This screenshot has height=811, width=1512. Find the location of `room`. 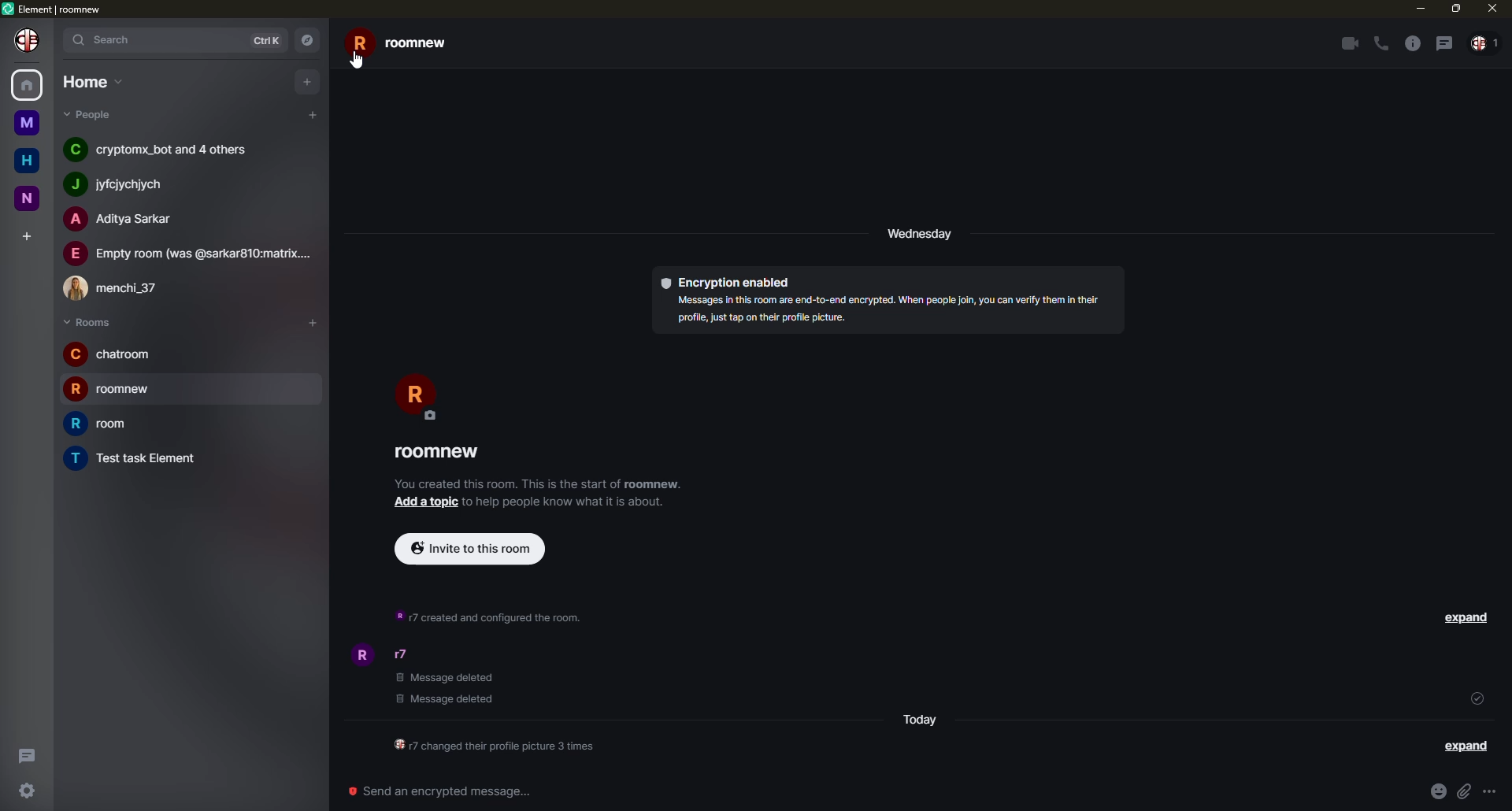

room is located at coordinates (411, 44).